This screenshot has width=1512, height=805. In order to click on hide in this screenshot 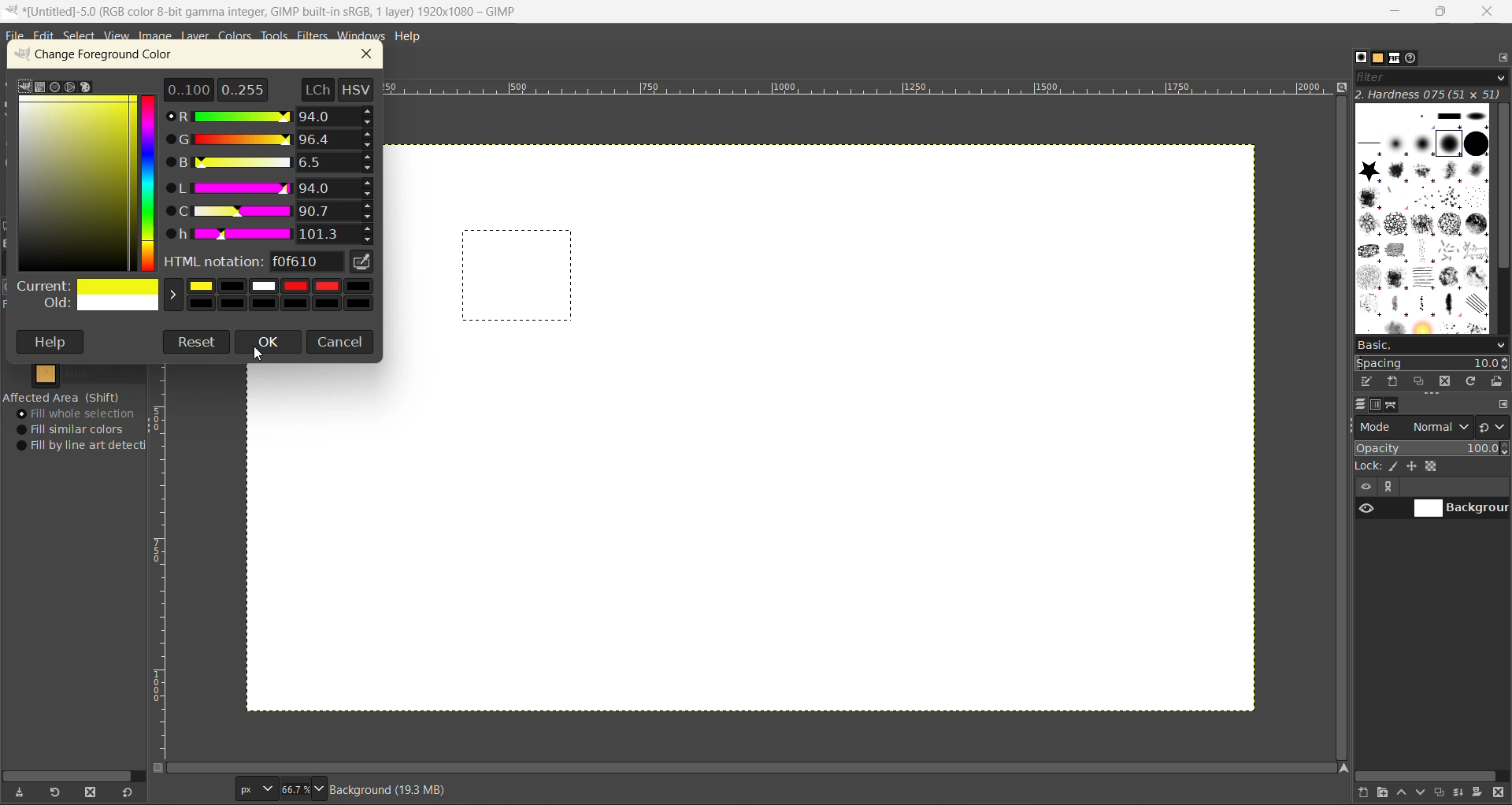, I will do `click(1365, 488)`.